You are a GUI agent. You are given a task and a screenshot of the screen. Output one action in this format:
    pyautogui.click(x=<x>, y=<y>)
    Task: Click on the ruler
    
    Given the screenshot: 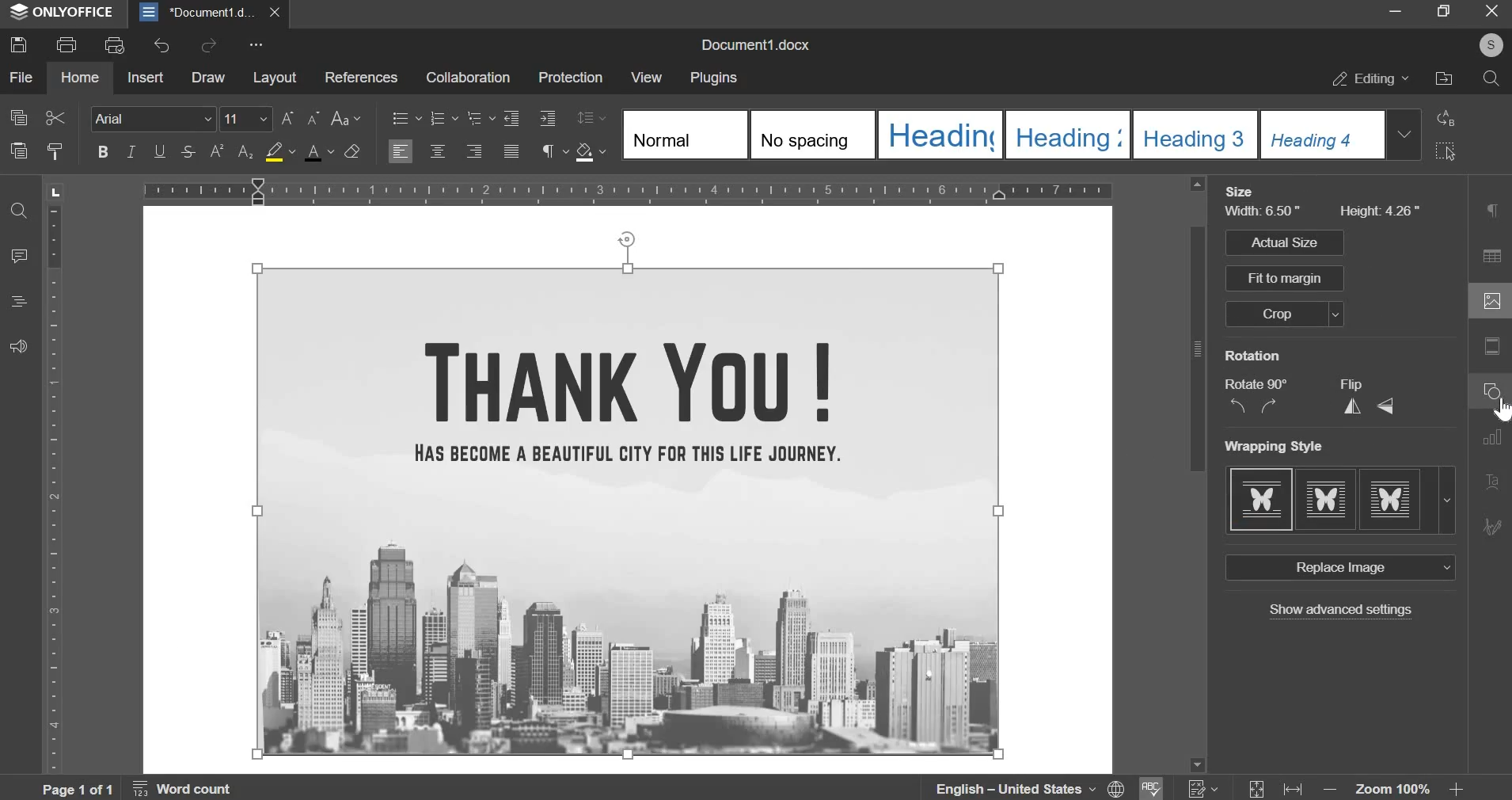 What is the action you would take?
    pyautogui.click(x=57, y=490)
    